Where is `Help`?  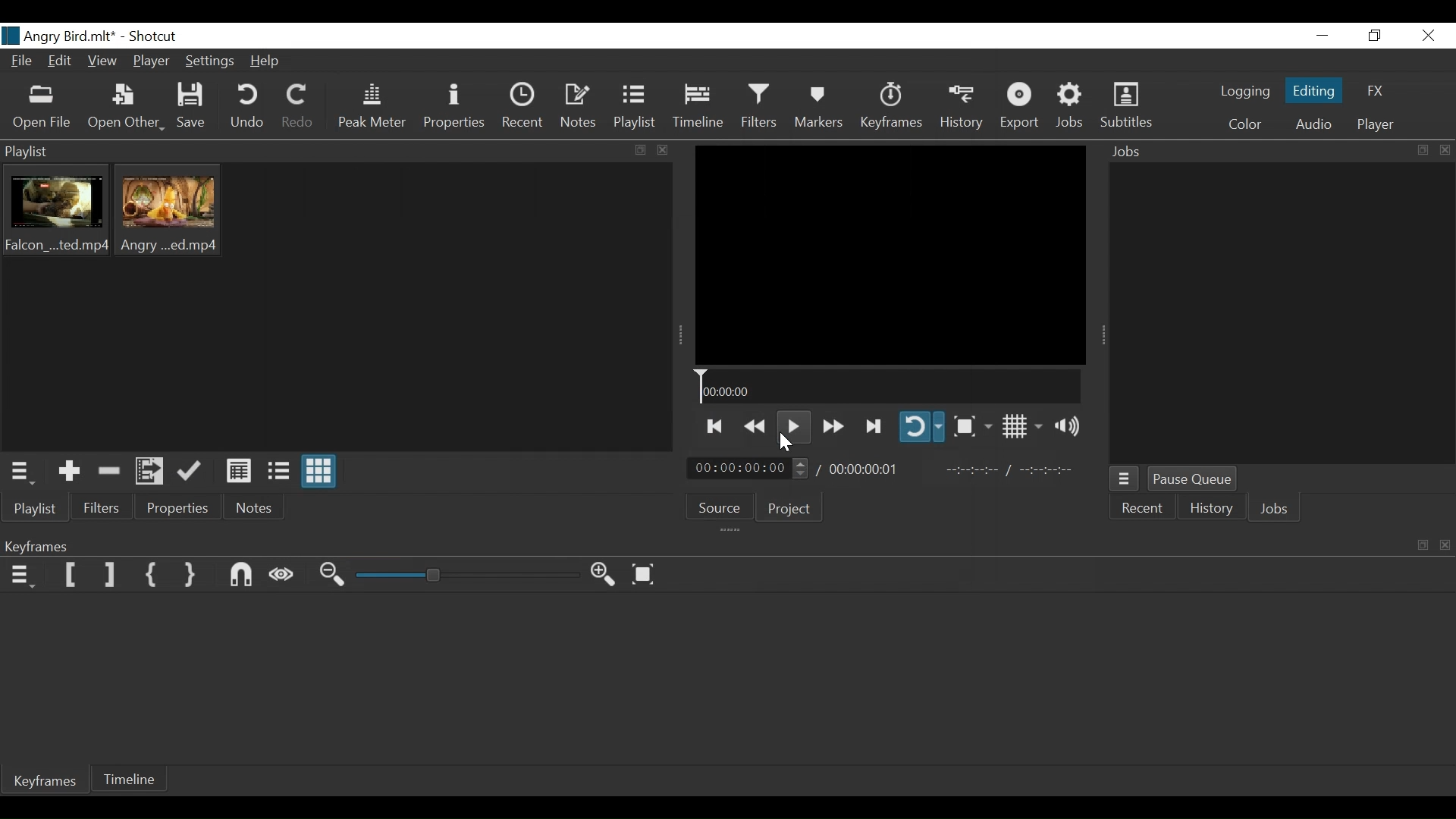
Help is located at coordinates (269, 62).